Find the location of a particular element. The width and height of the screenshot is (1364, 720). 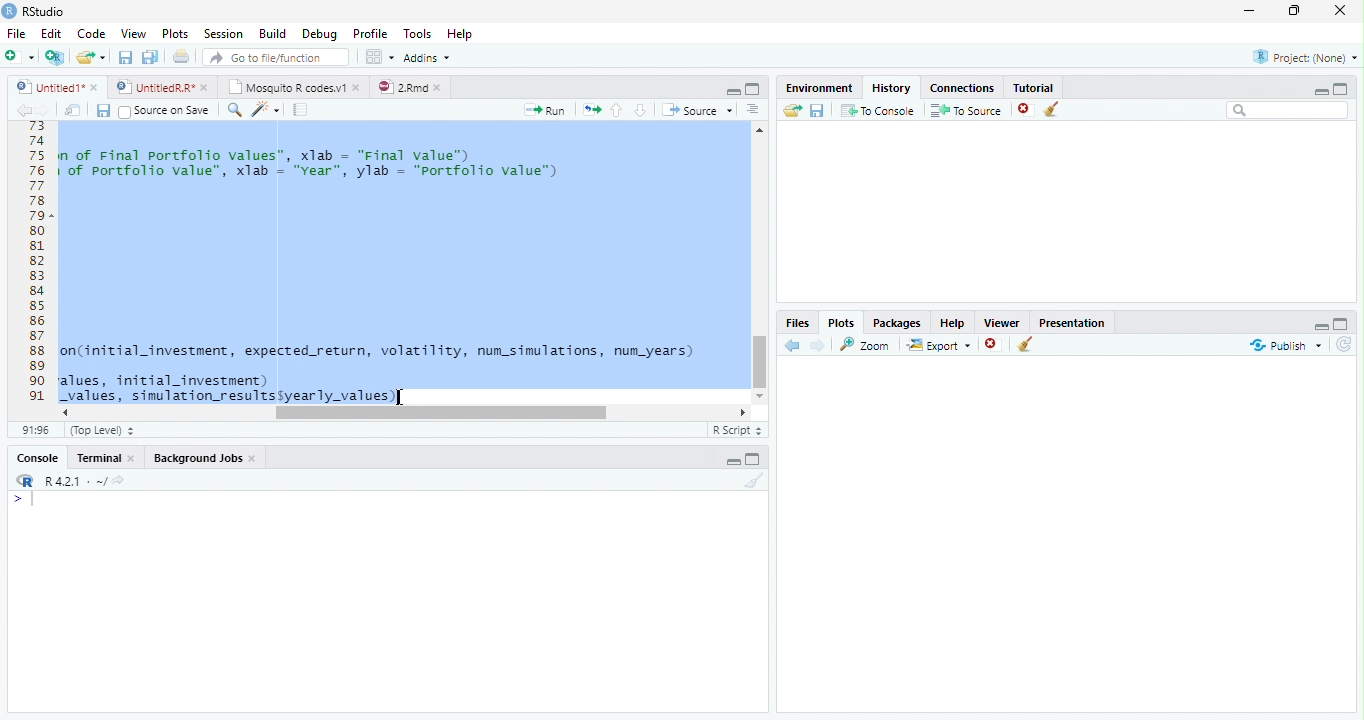

Full Height is located at coordinates (754, 88).